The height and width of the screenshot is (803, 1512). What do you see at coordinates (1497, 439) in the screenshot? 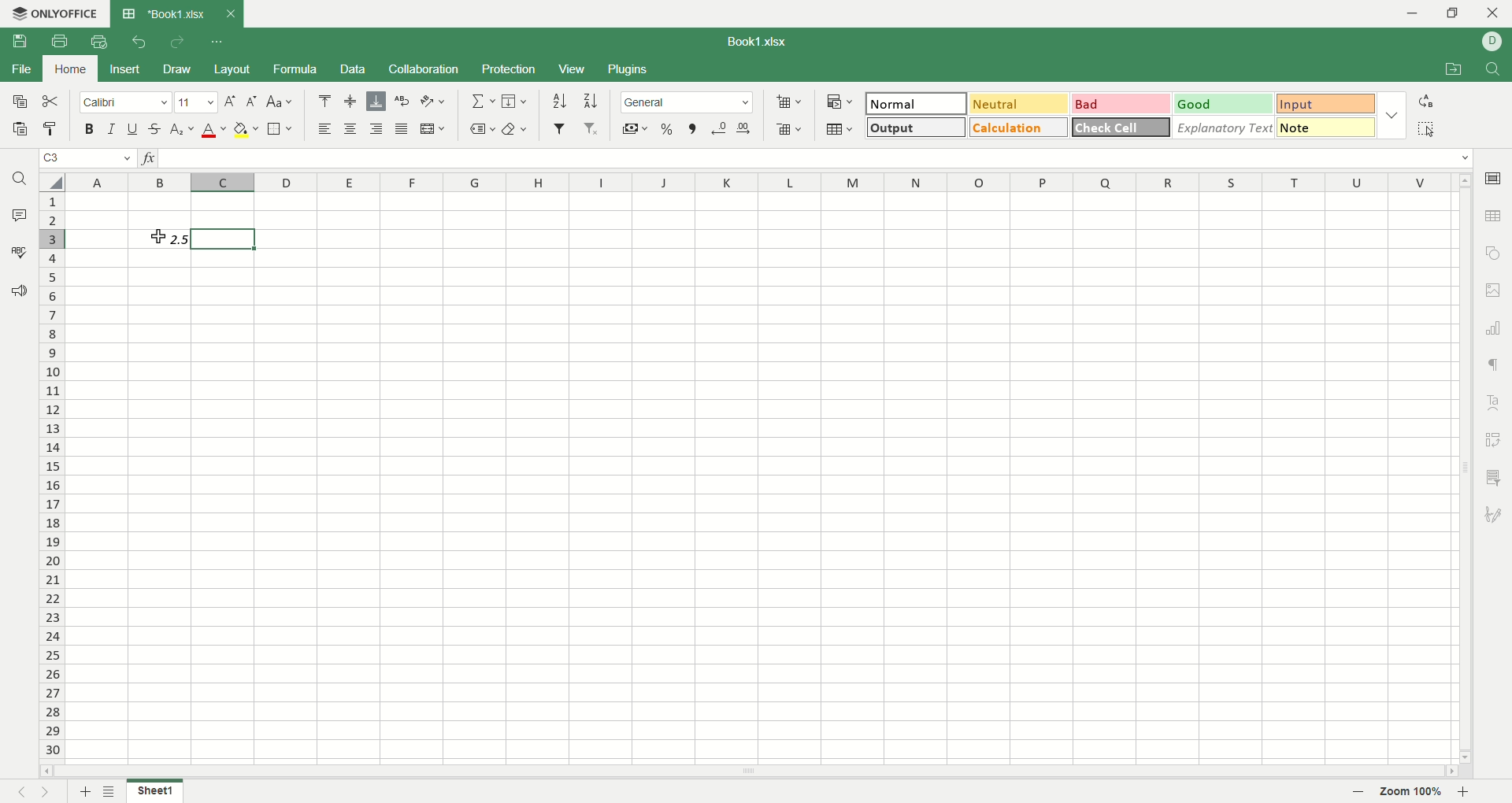
I see `pivot settings` at bounding box center [1497, 439].